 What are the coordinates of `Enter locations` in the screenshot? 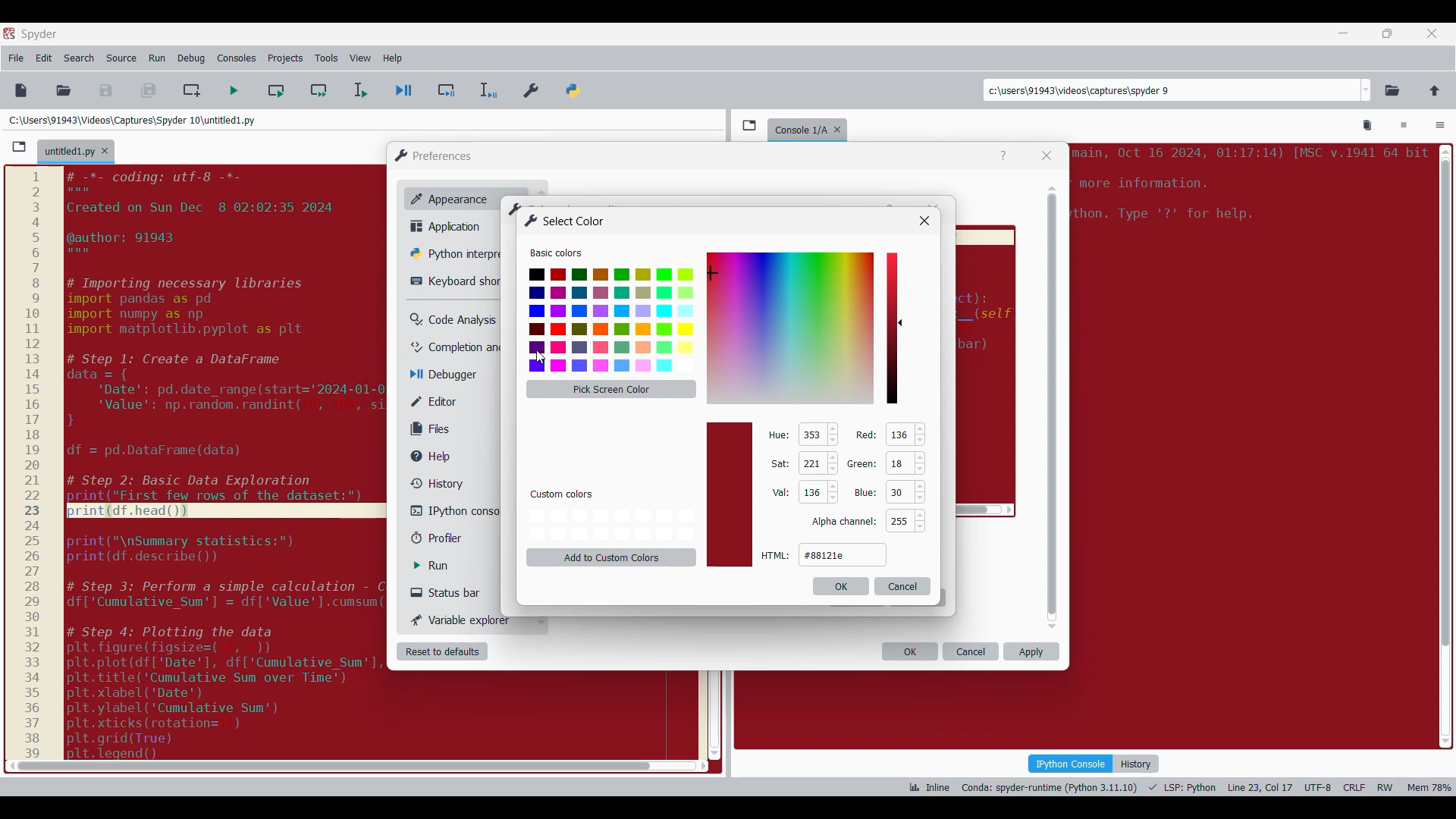 It's located at (1171, 90).